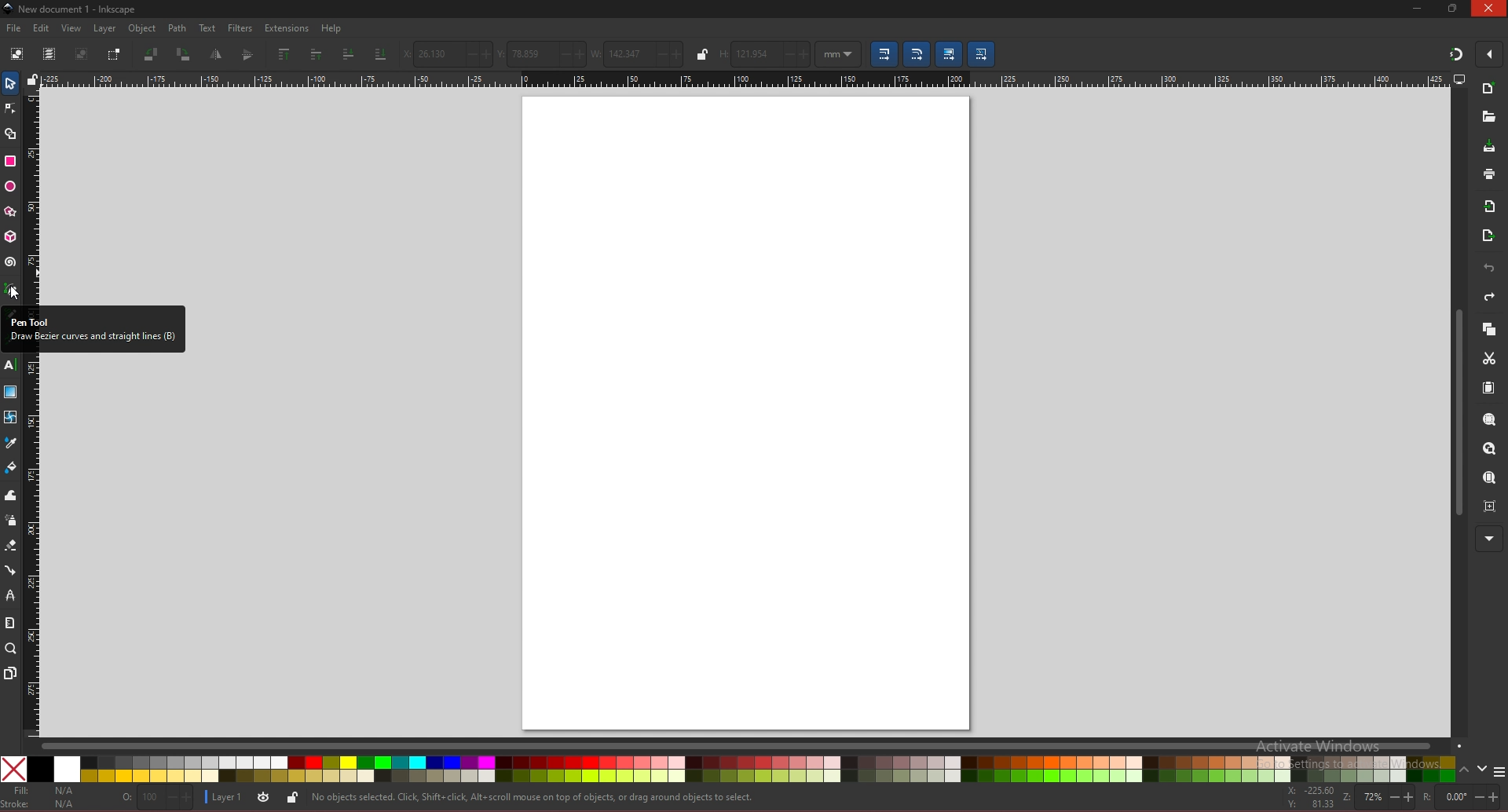  I want to click on scroll bar, so click(751, 744).